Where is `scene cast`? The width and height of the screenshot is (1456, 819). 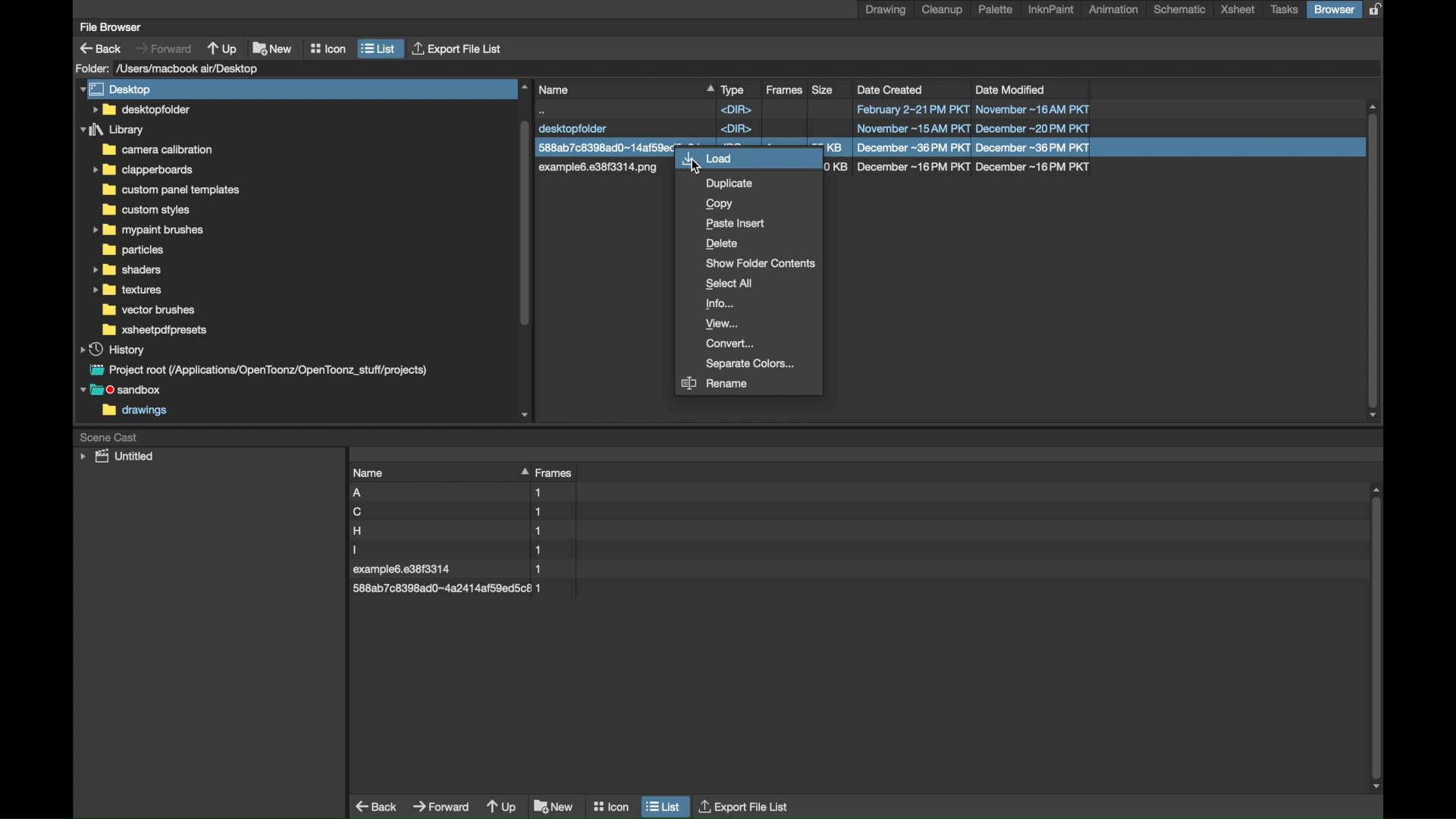
scene cast is located at coordinates (109, 436).